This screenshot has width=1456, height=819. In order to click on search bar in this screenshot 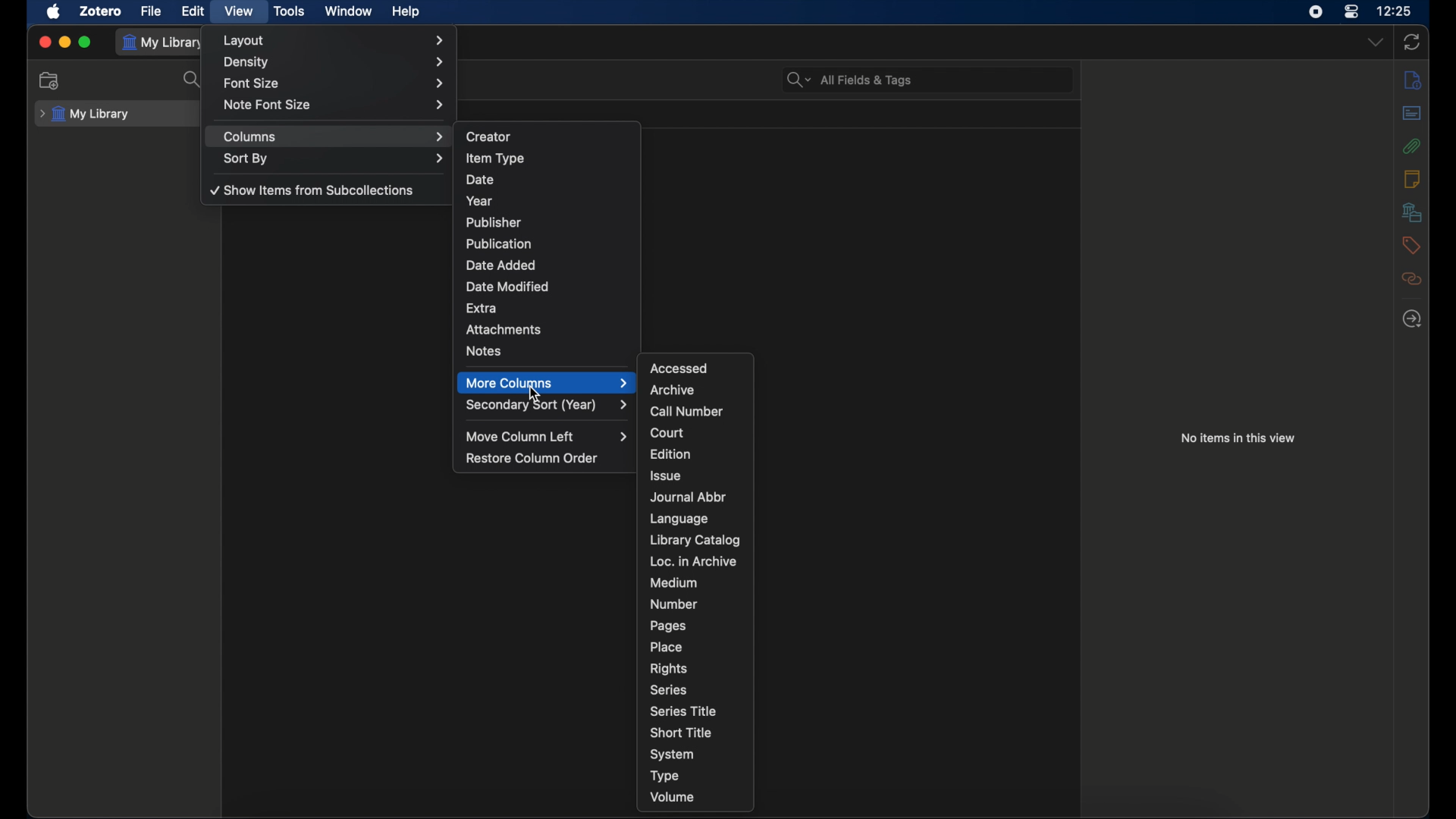, I will do `click(849, 80)`.